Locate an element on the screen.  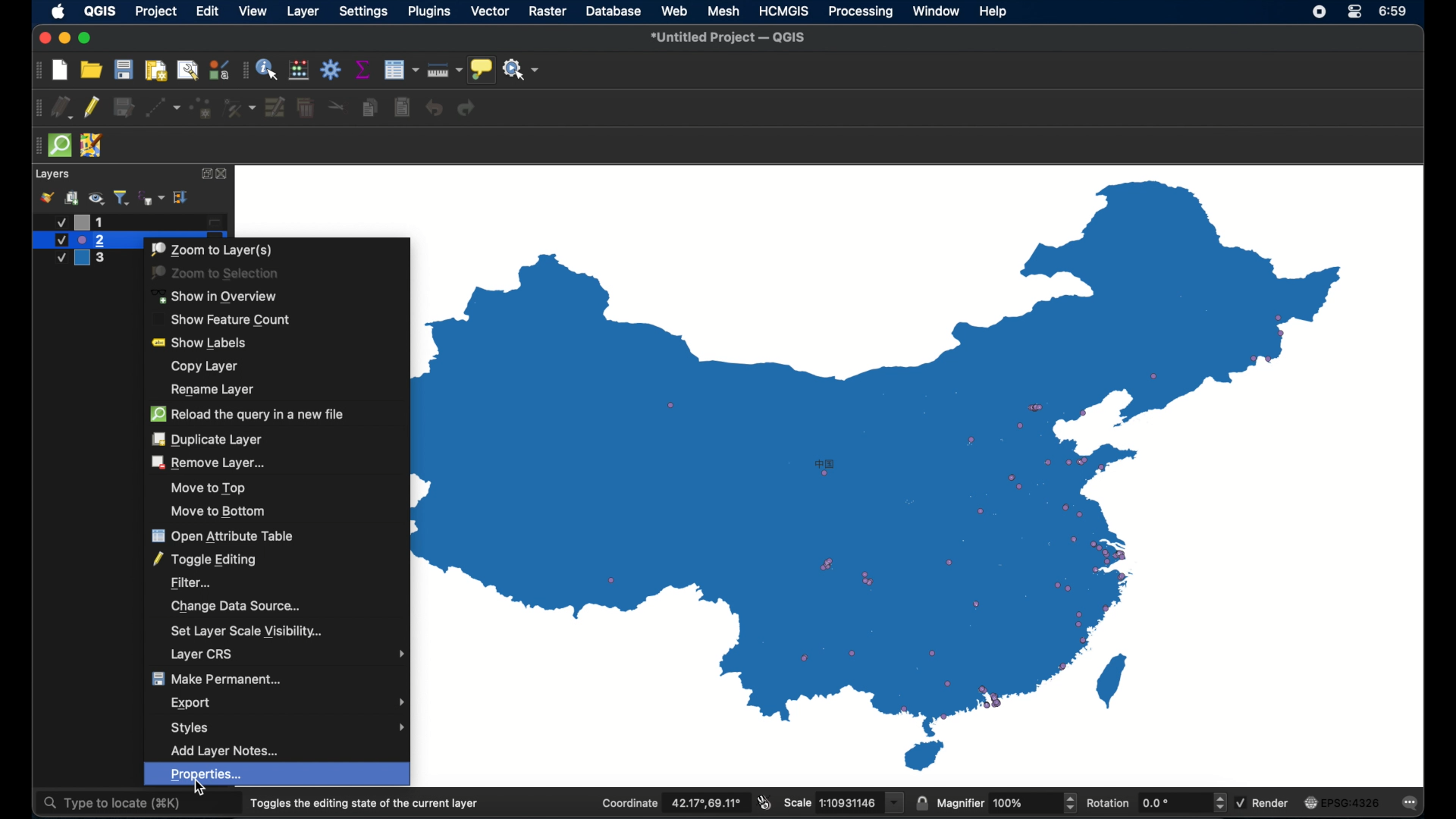
show statistical summary  is located at coordinates (363, 70).